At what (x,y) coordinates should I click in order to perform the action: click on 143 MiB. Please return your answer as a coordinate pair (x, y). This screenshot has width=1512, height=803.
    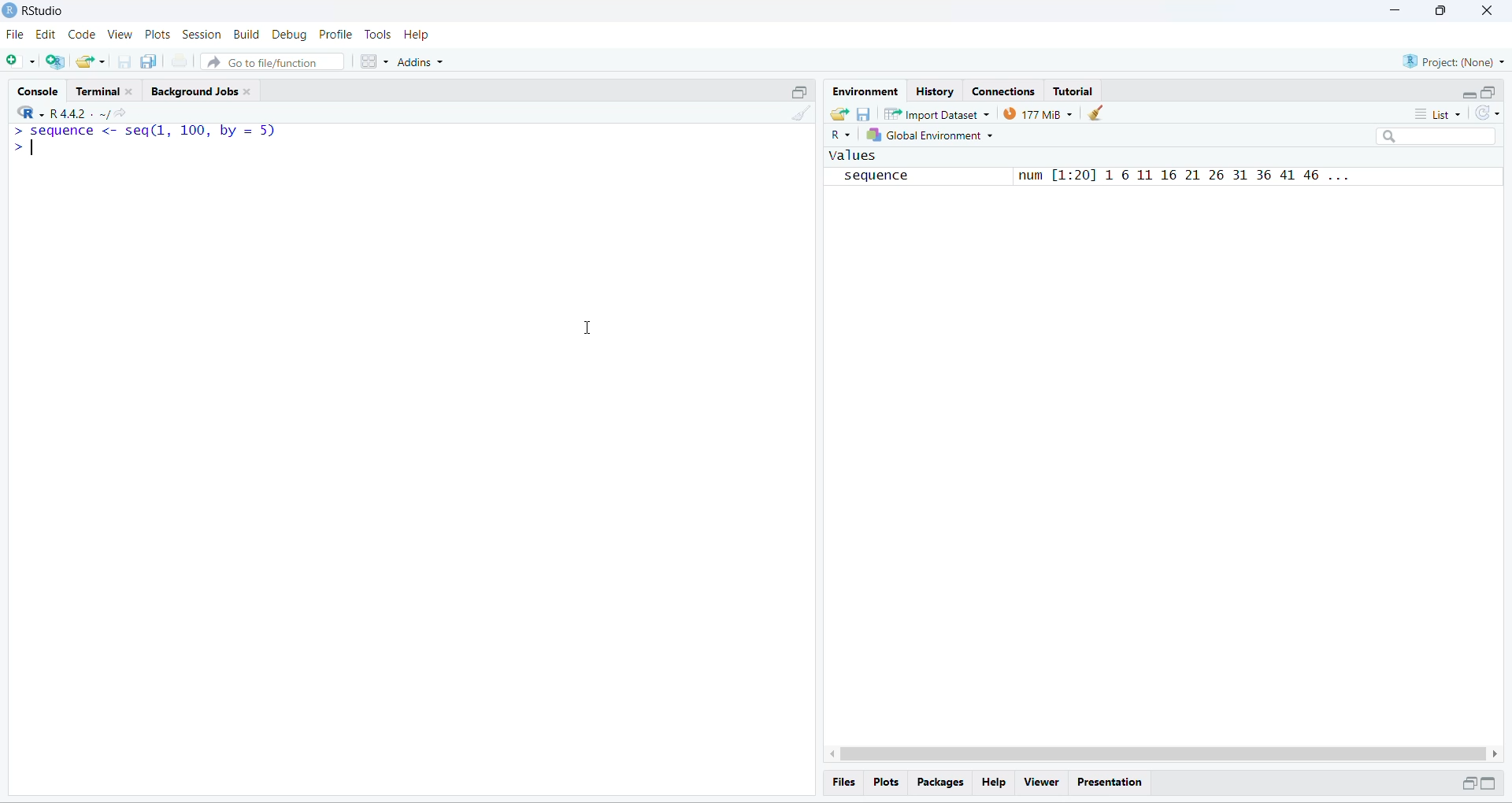
    Looking at the image, I should click on (1037, 113).